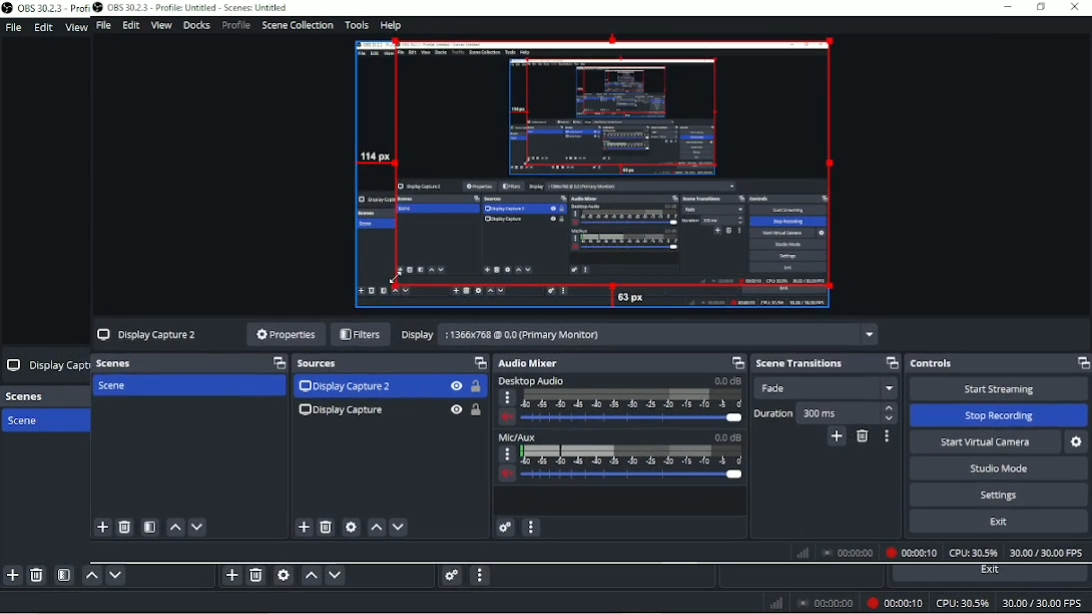 The width and height of the screenshot is (1092, 614). What do you see at coordinates (503, 475) in the screenshot?
I see `volume` at bounding box center [503, 475].